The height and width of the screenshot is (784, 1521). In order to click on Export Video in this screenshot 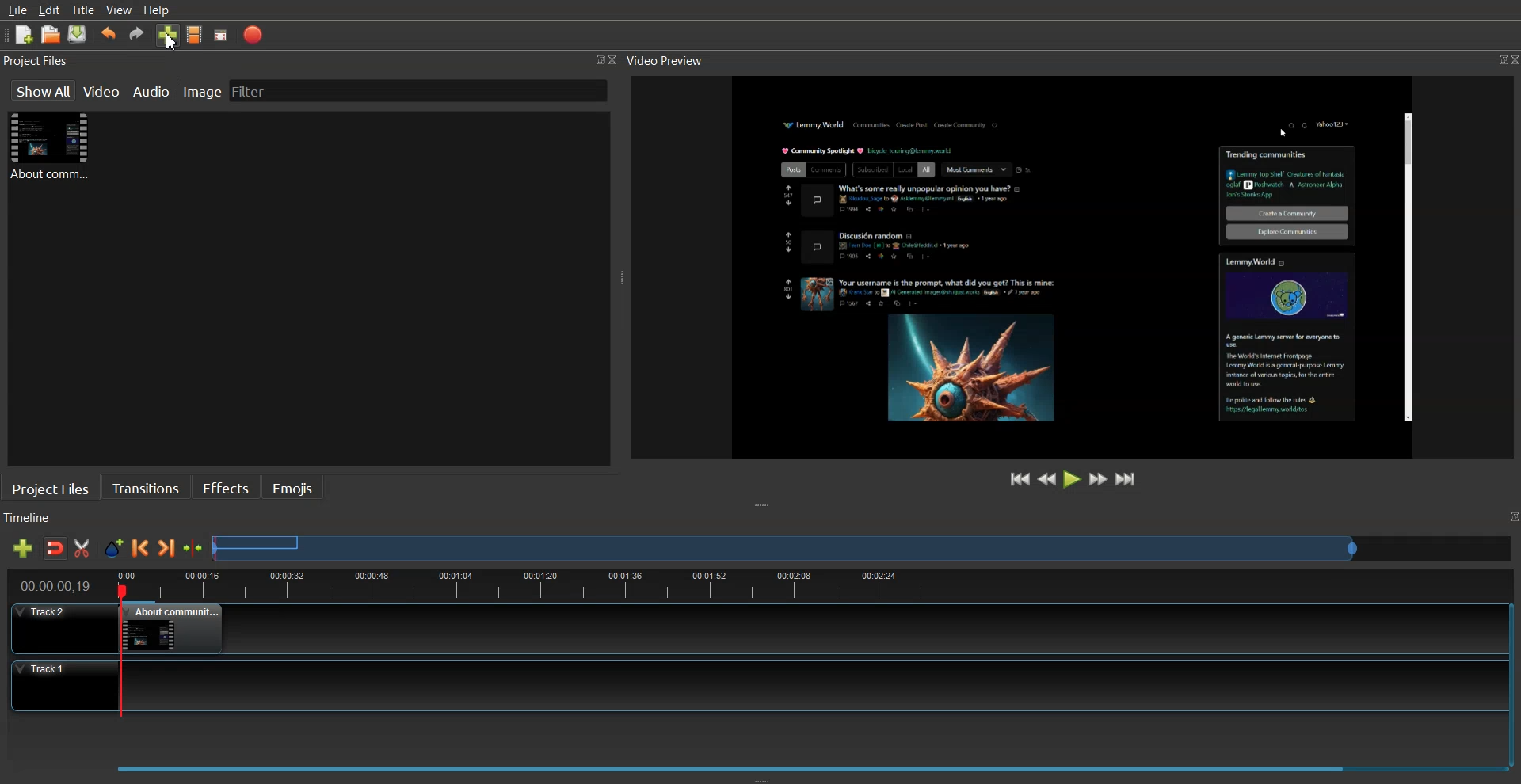, I will do `click(253, 35)`.